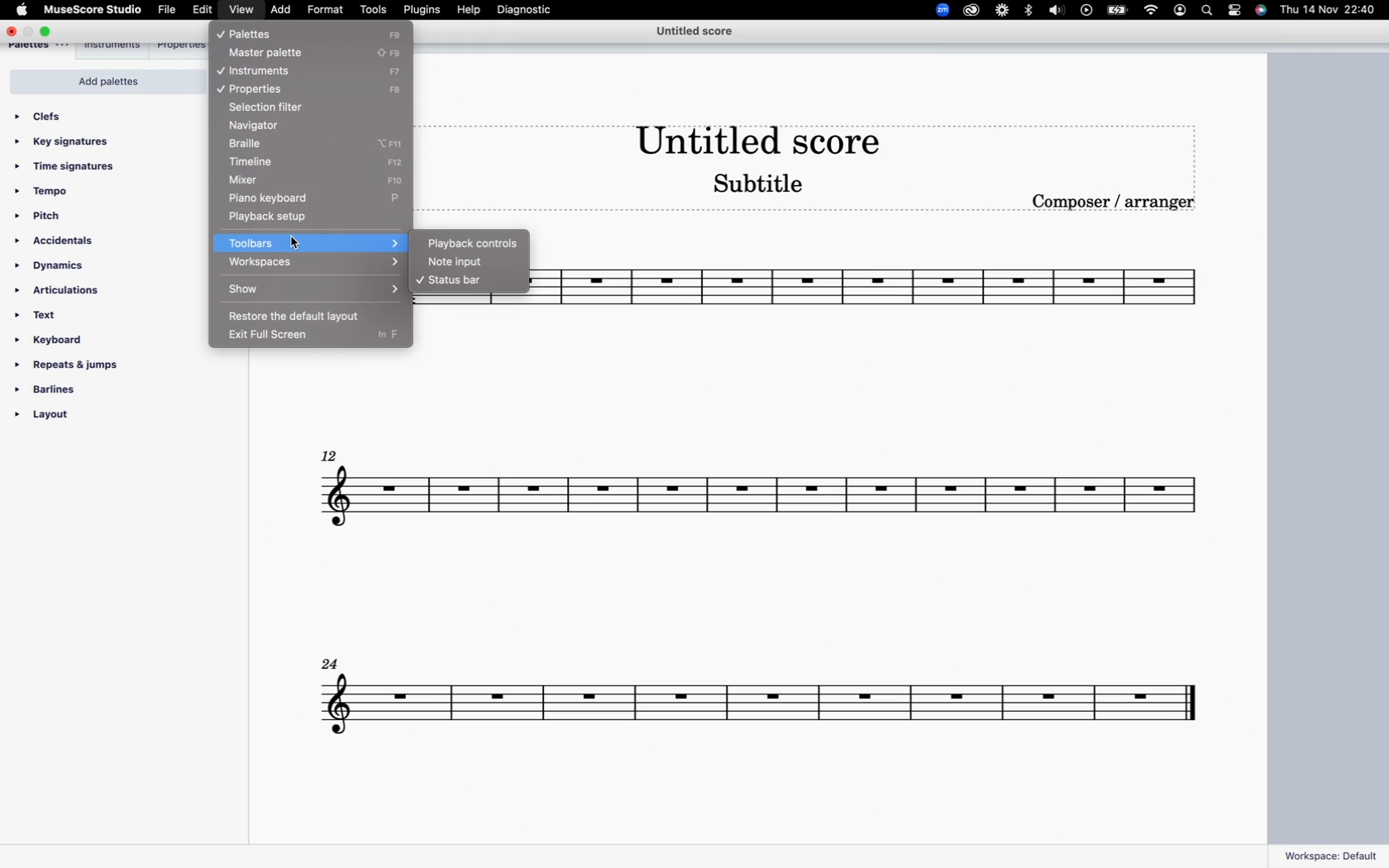 This screenshot has height=868, width=1389. What do you see at coordinates (317, 241) in the screenshot?
I see `toolbars` at bounding box center [317, 241].